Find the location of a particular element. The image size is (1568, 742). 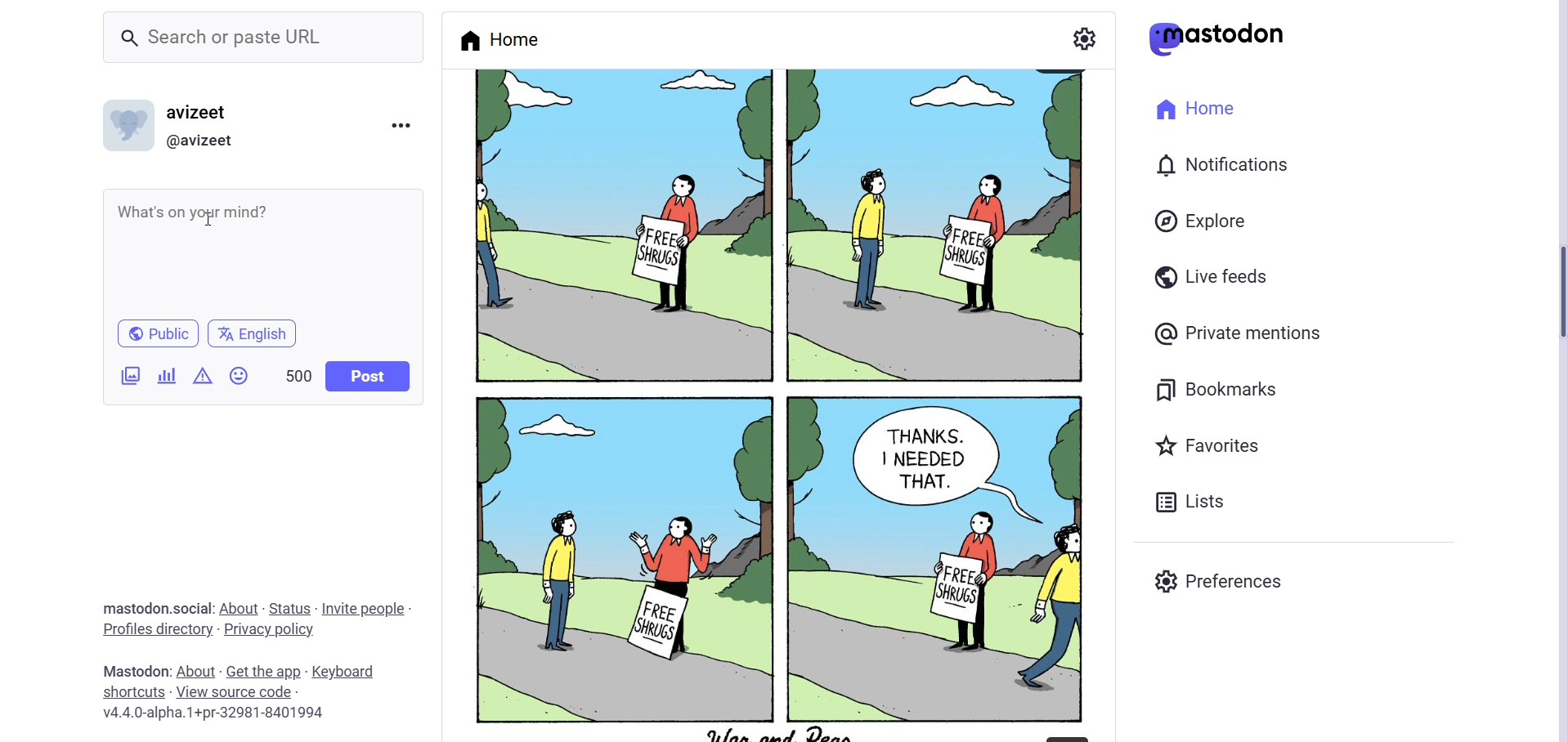

Another Post is located at coordinates (774, 402).